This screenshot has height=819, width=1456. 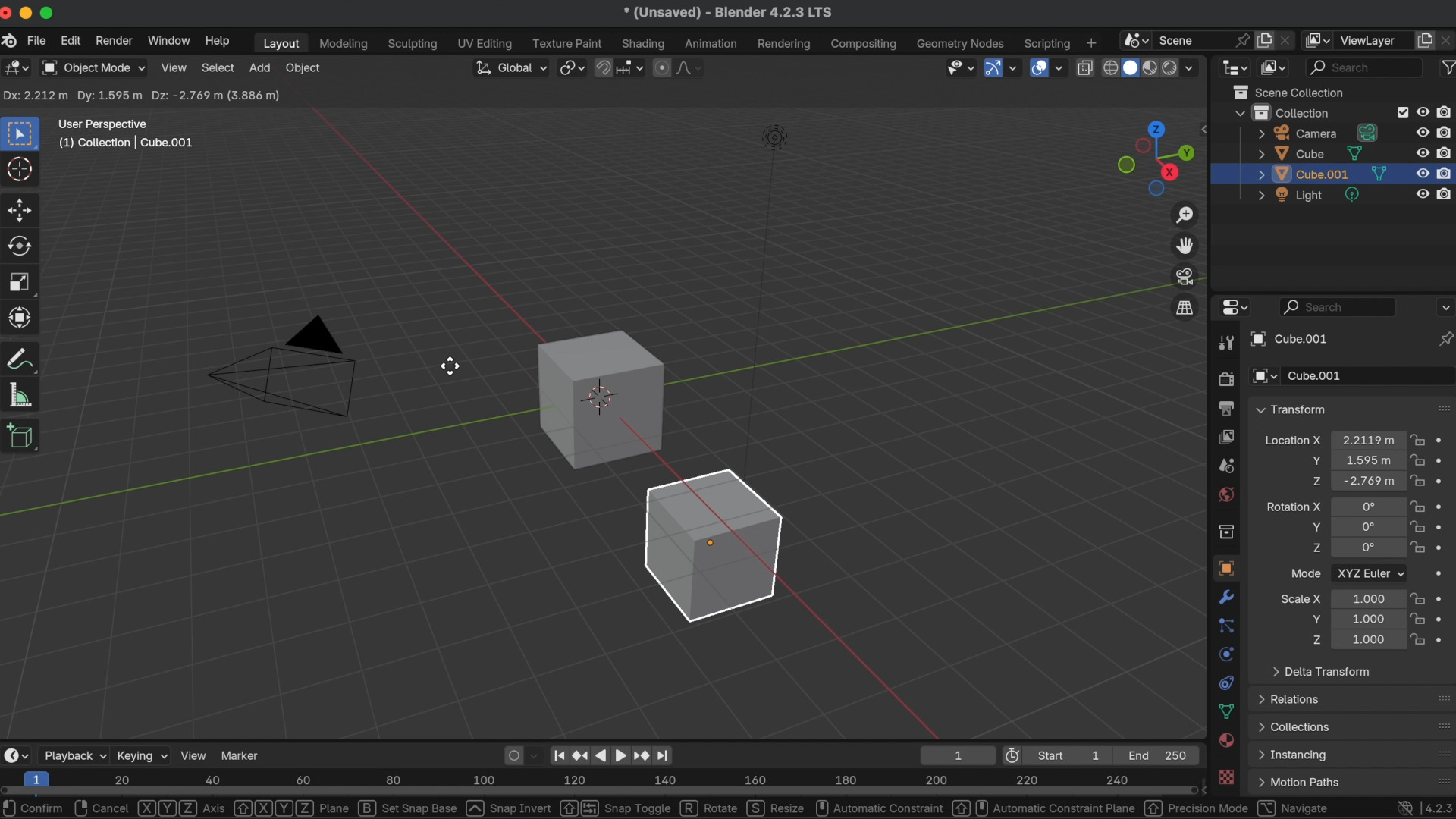 I want to click on disable in render, so click(x=1445, y=193).